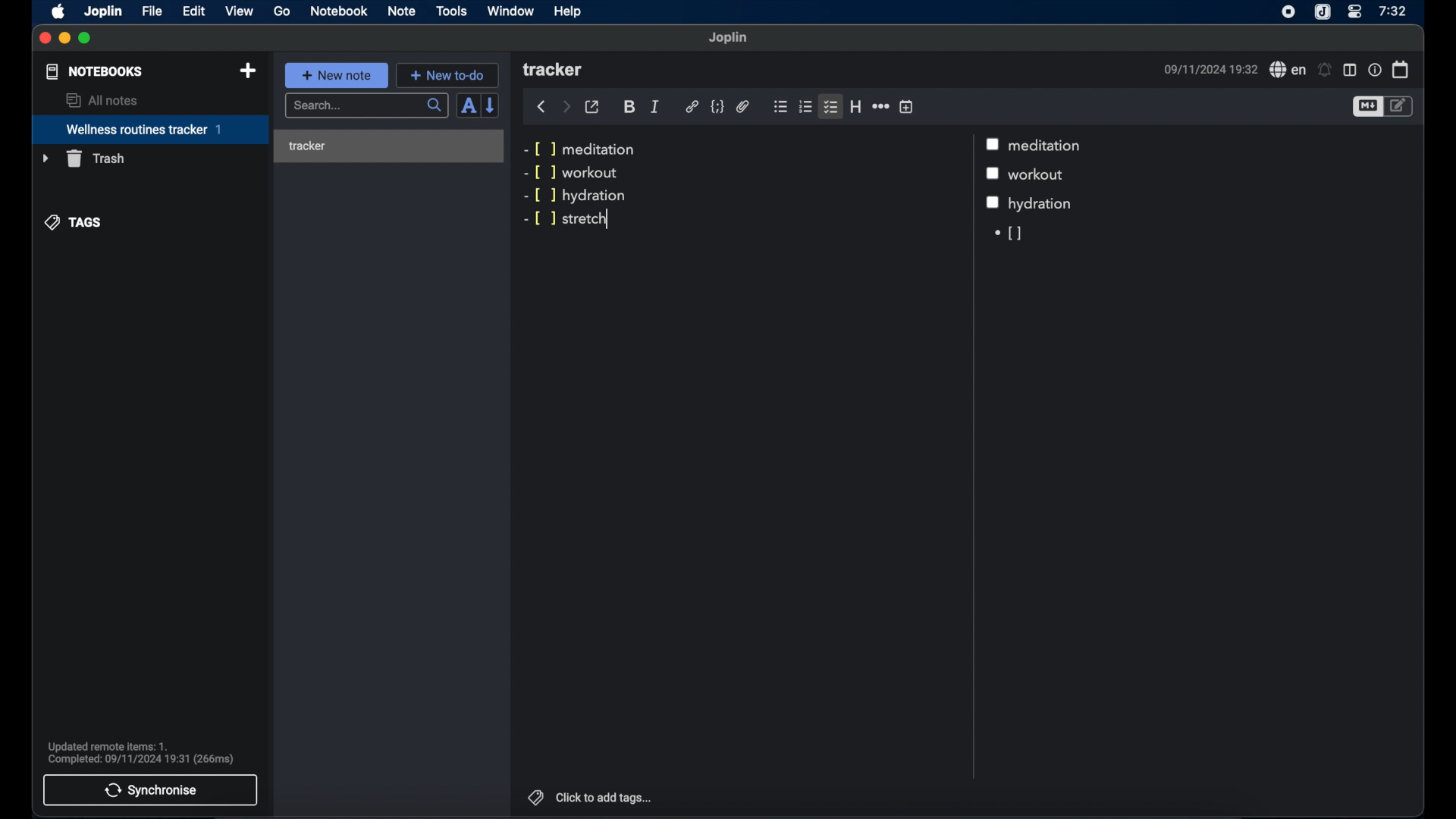  What do you see at coordinates (780, 107) in the screenshot?
I see `bulleted list` at bounding box center [780, 107].